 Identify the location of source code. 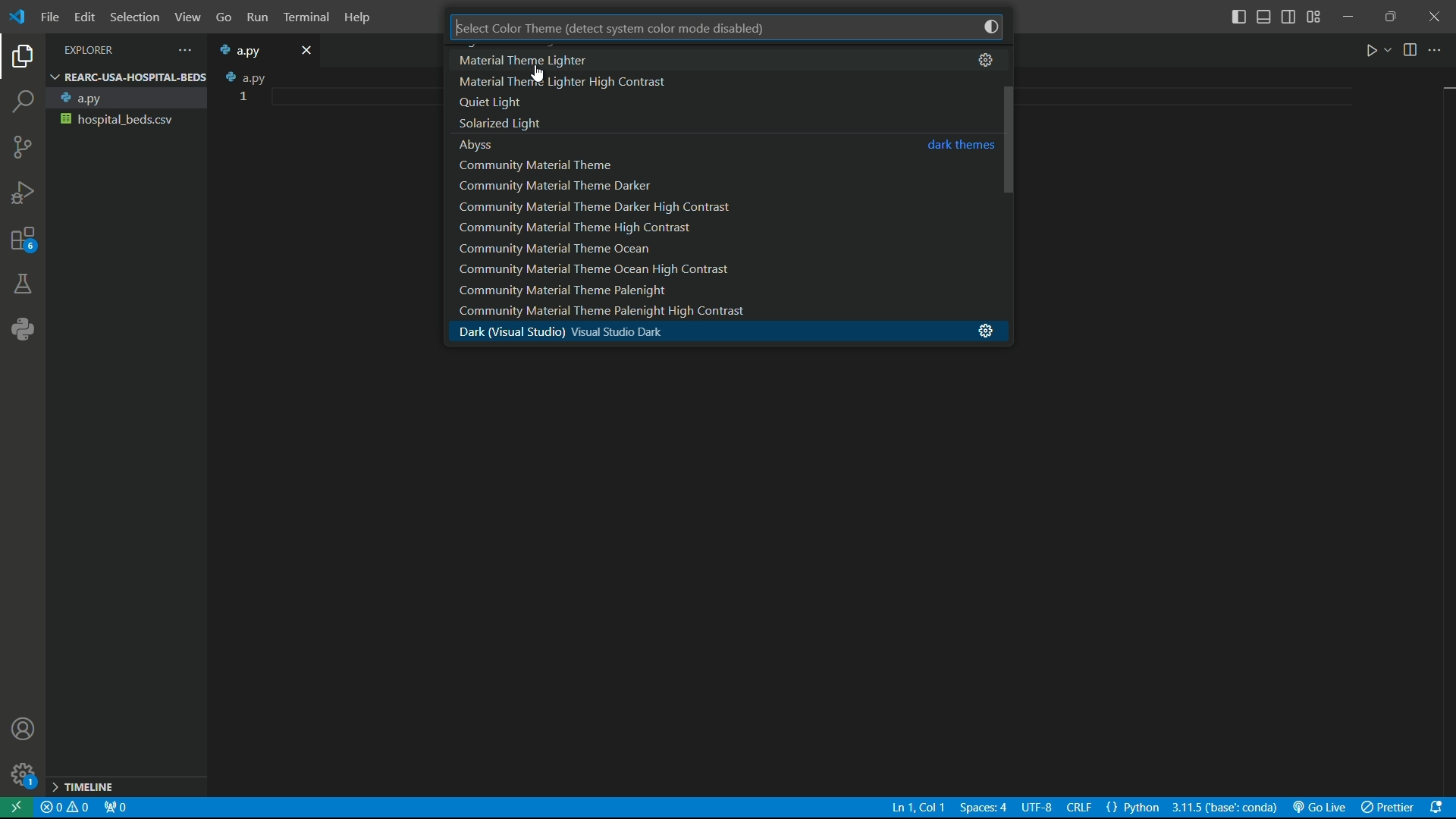
(22, 150).